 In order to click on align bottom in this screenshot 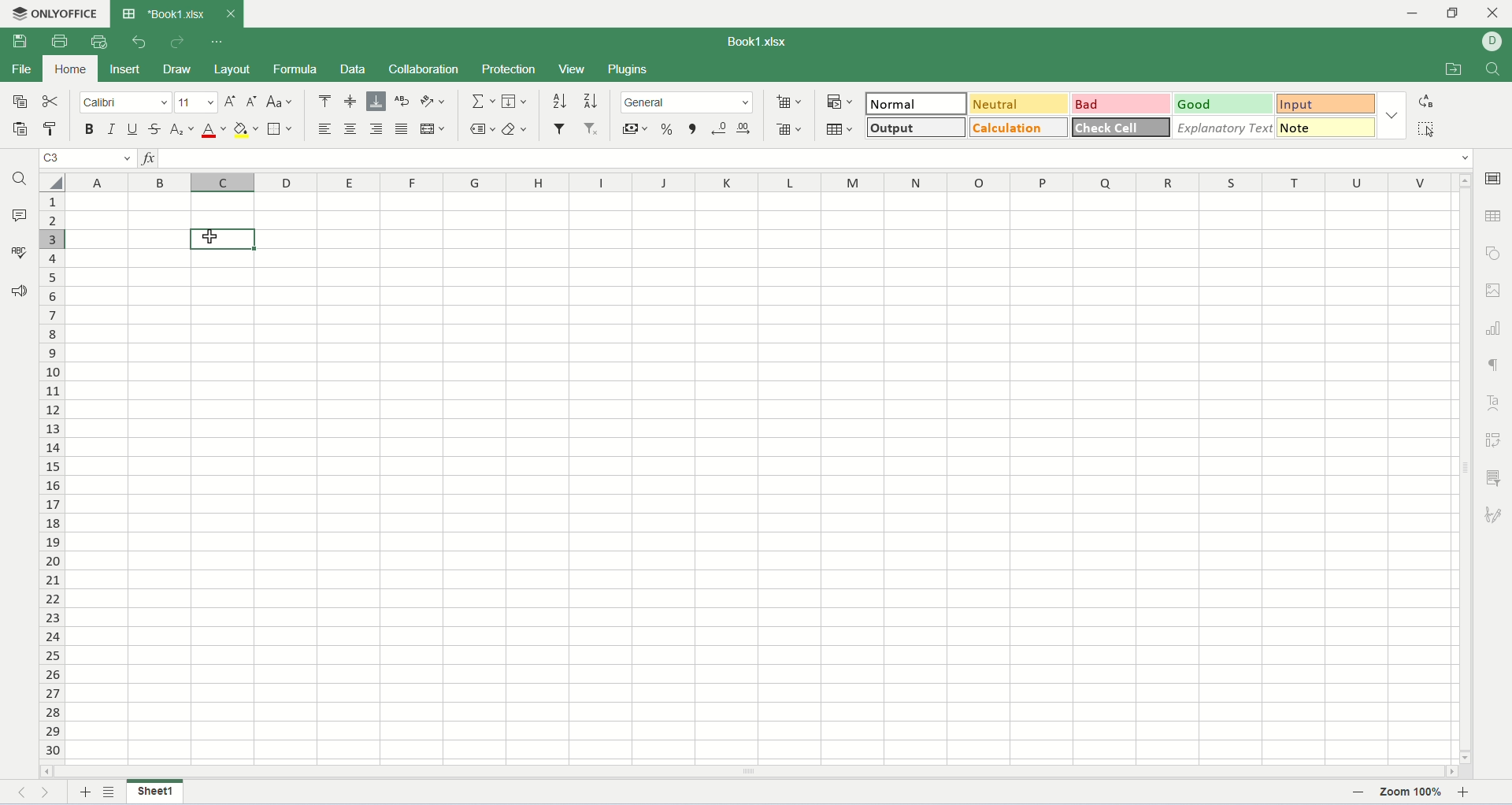, I will do `click(376, 101)`.